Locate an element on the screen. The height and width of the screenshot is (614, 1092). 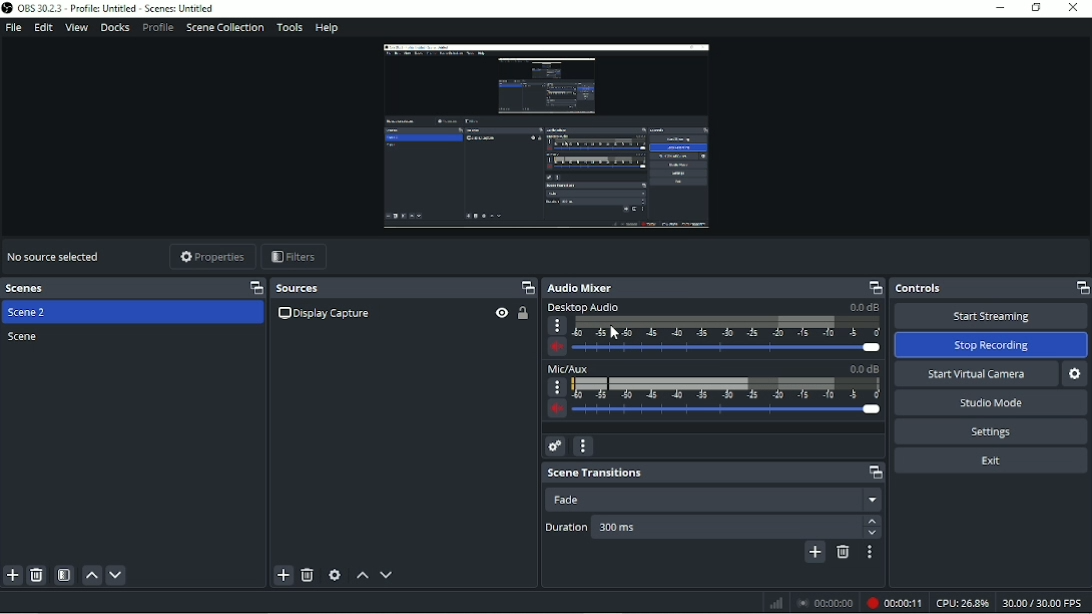
Desktop audio is located at coordinates (714, 330).